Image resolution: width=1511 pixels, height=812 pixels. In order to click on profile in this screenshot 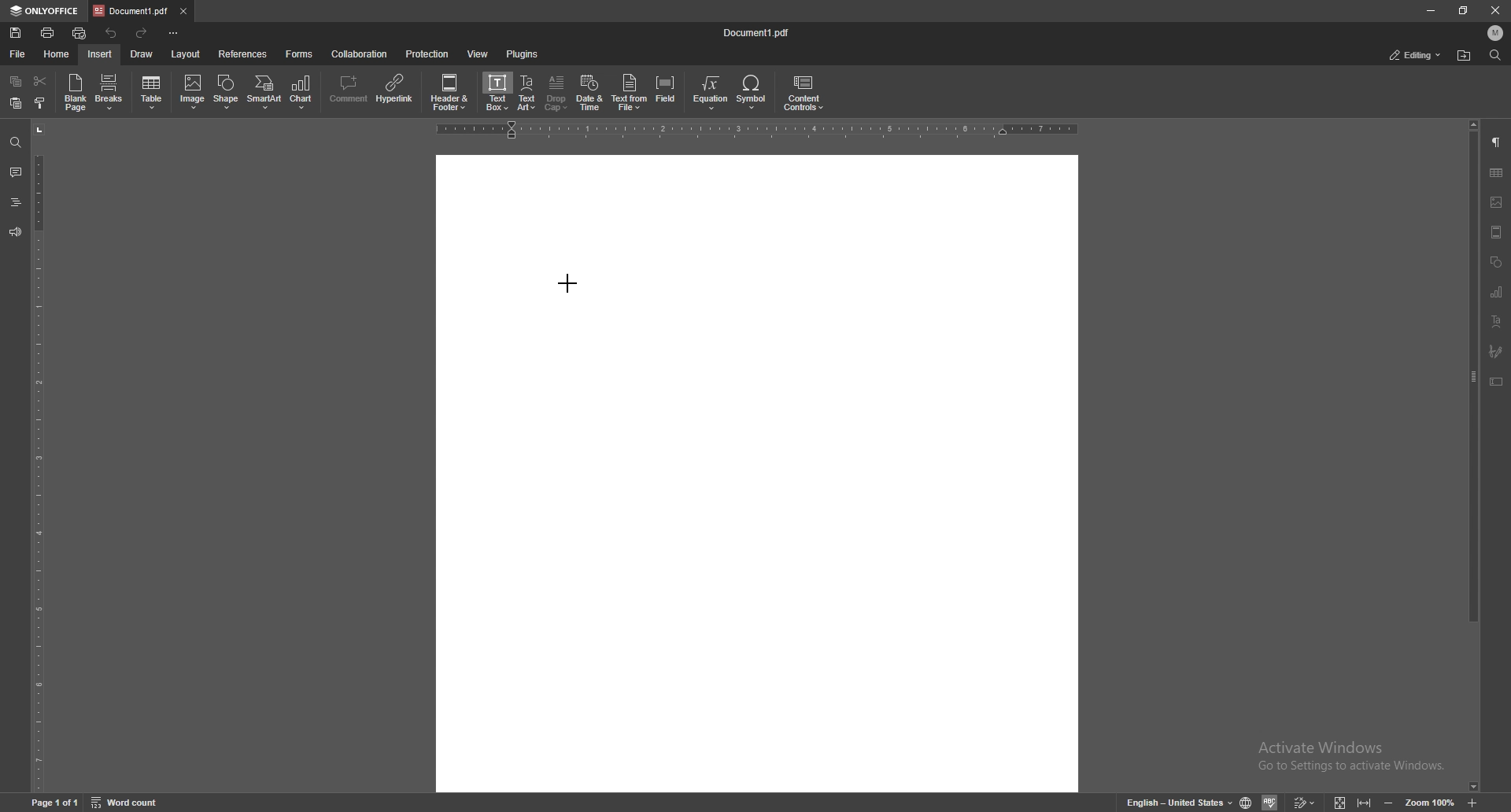, I will do `click(1496, 33)`.